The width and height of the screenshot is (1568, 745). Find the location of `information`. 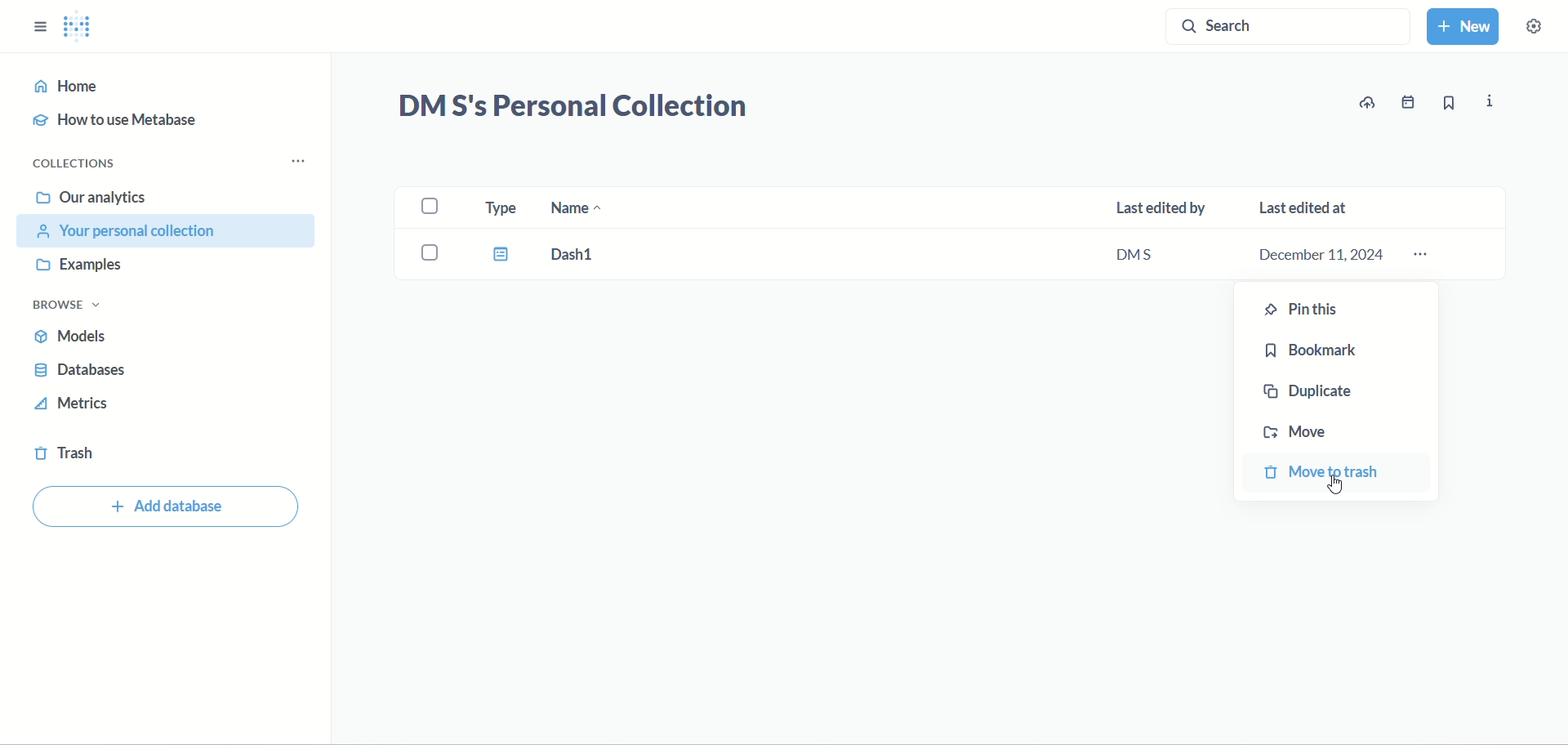

information is located at coordinates (1492, 101).